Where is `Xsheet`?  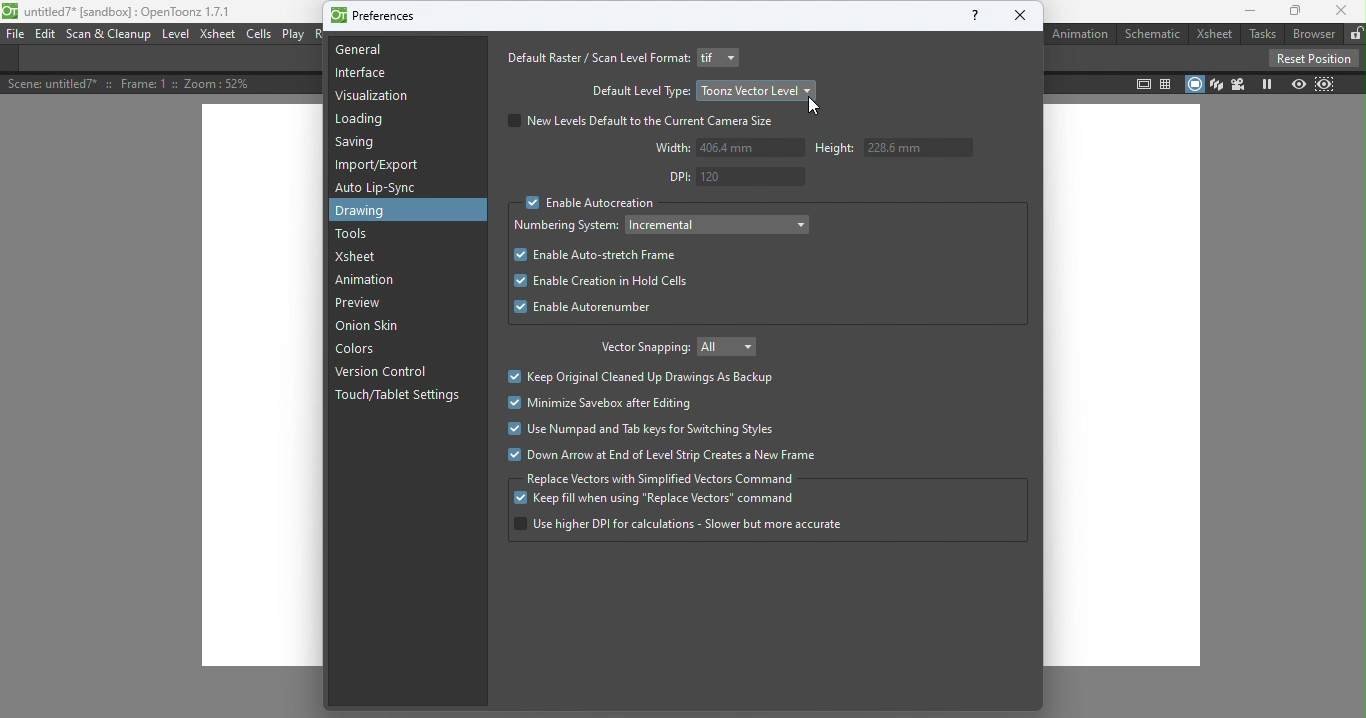
Xsheet is located at coordinates (365, 256).